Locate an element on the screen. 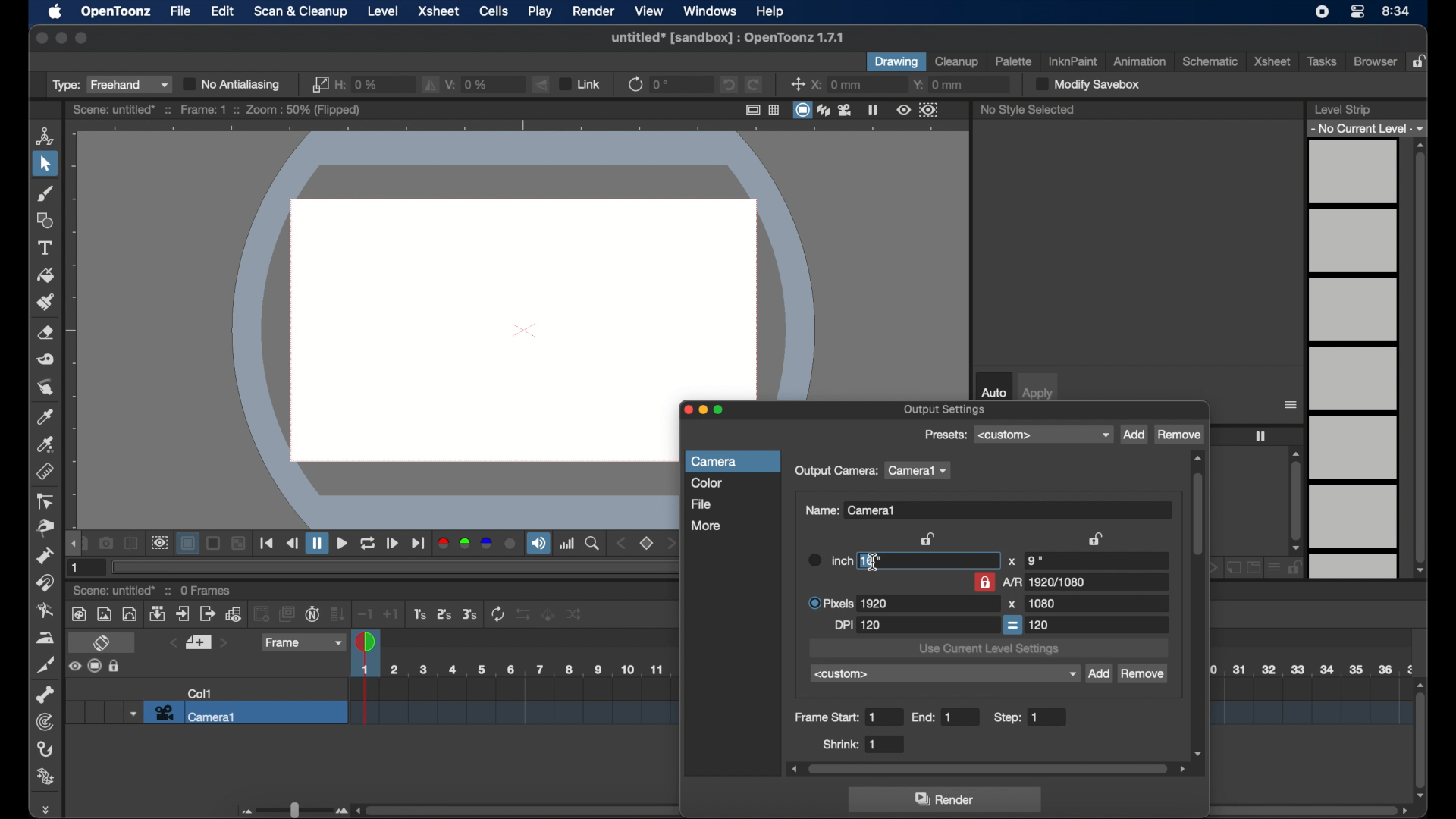  scroll bar is located at coordinates (1313, 810).